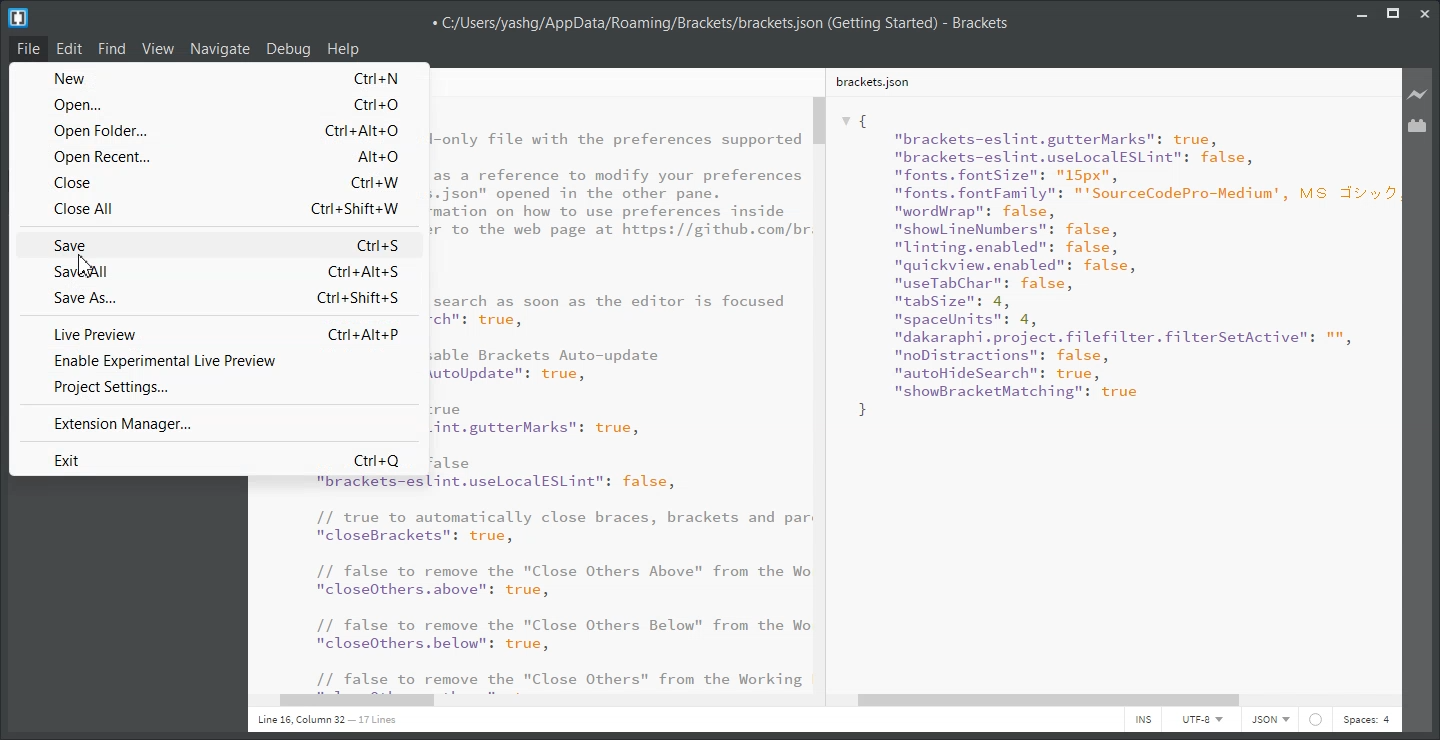  Describe the element at coordinates (219, 209) in the screenshot. I see `Close All   Ctrl+Shift+W` at that location.